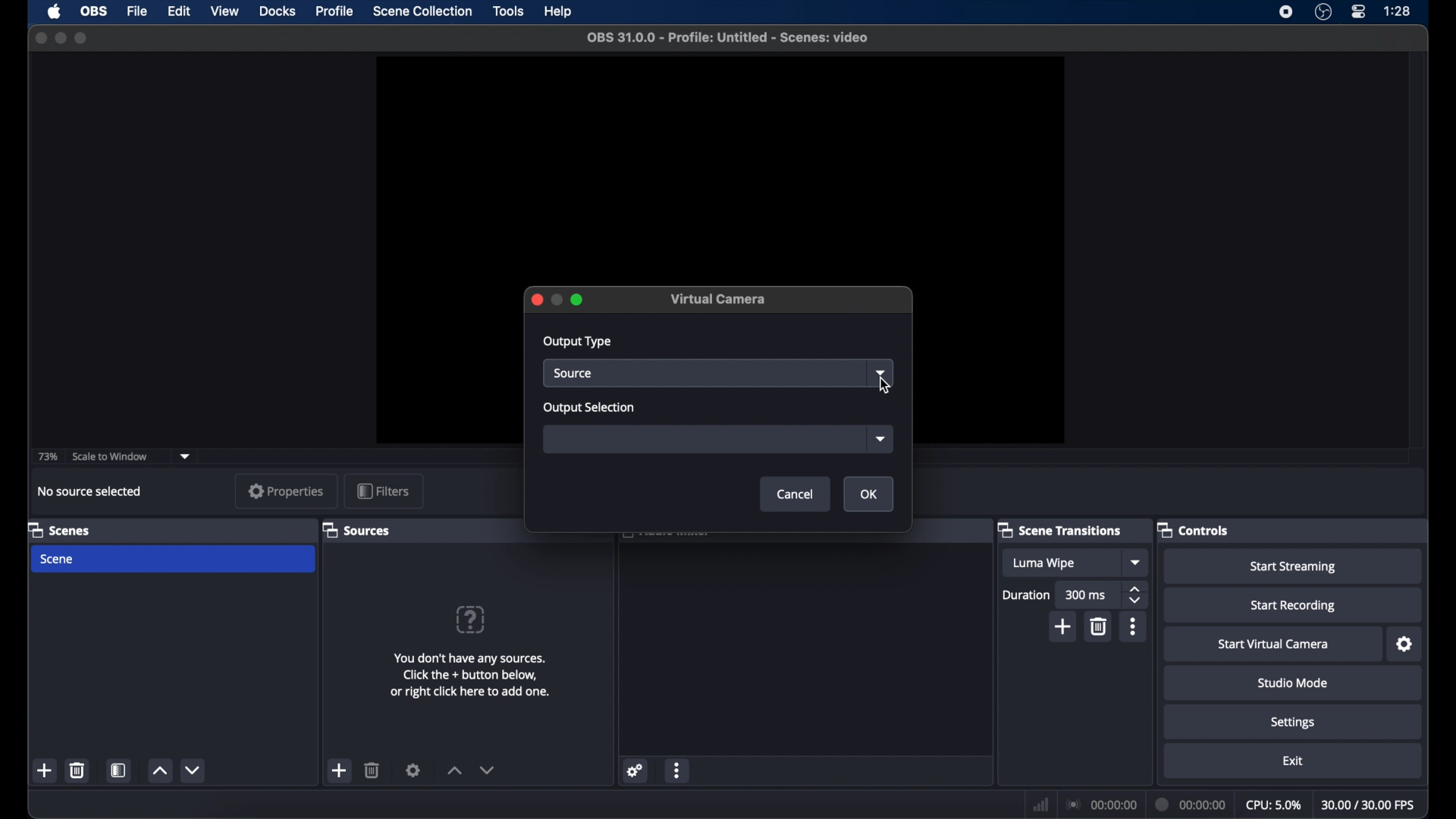 The image size is (1456, 819). I want to click on settings, so click(413, 770).